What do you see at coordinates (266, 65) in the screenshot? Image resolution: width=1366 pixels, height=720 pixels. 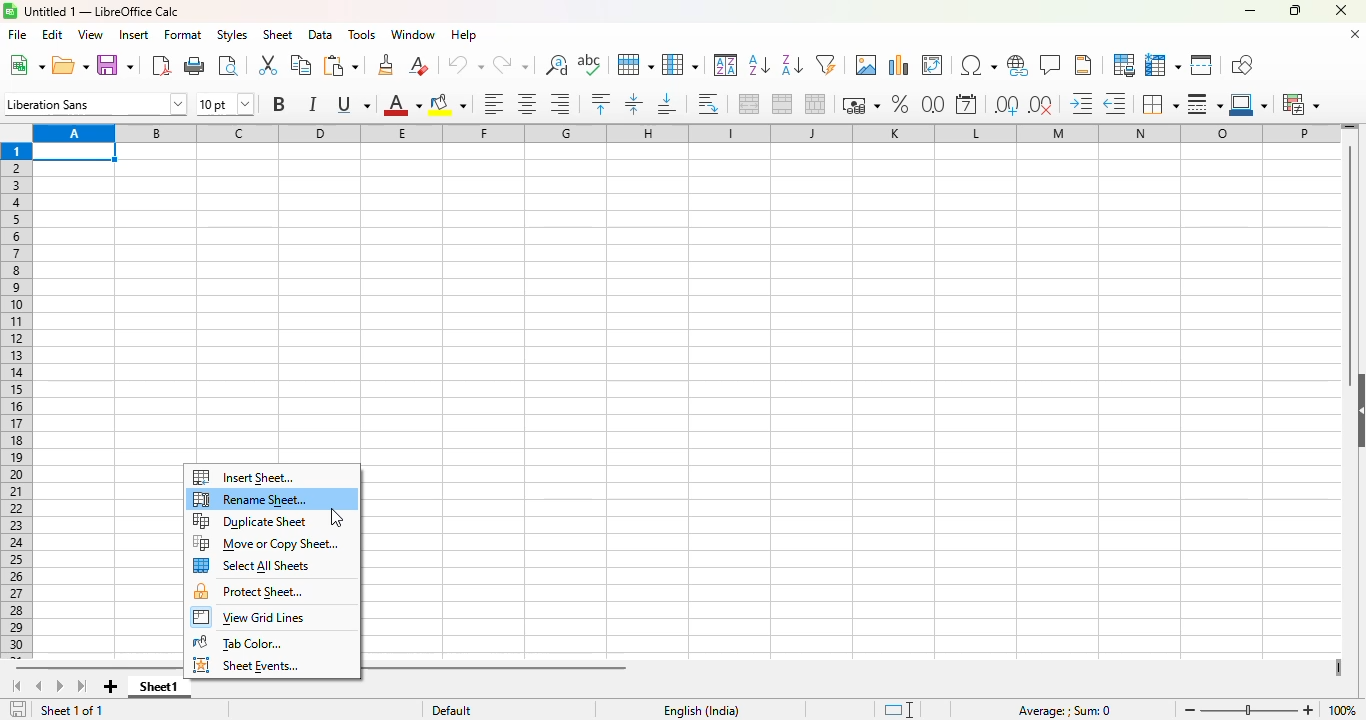 I see `cut` at bounding box center [266, 65].